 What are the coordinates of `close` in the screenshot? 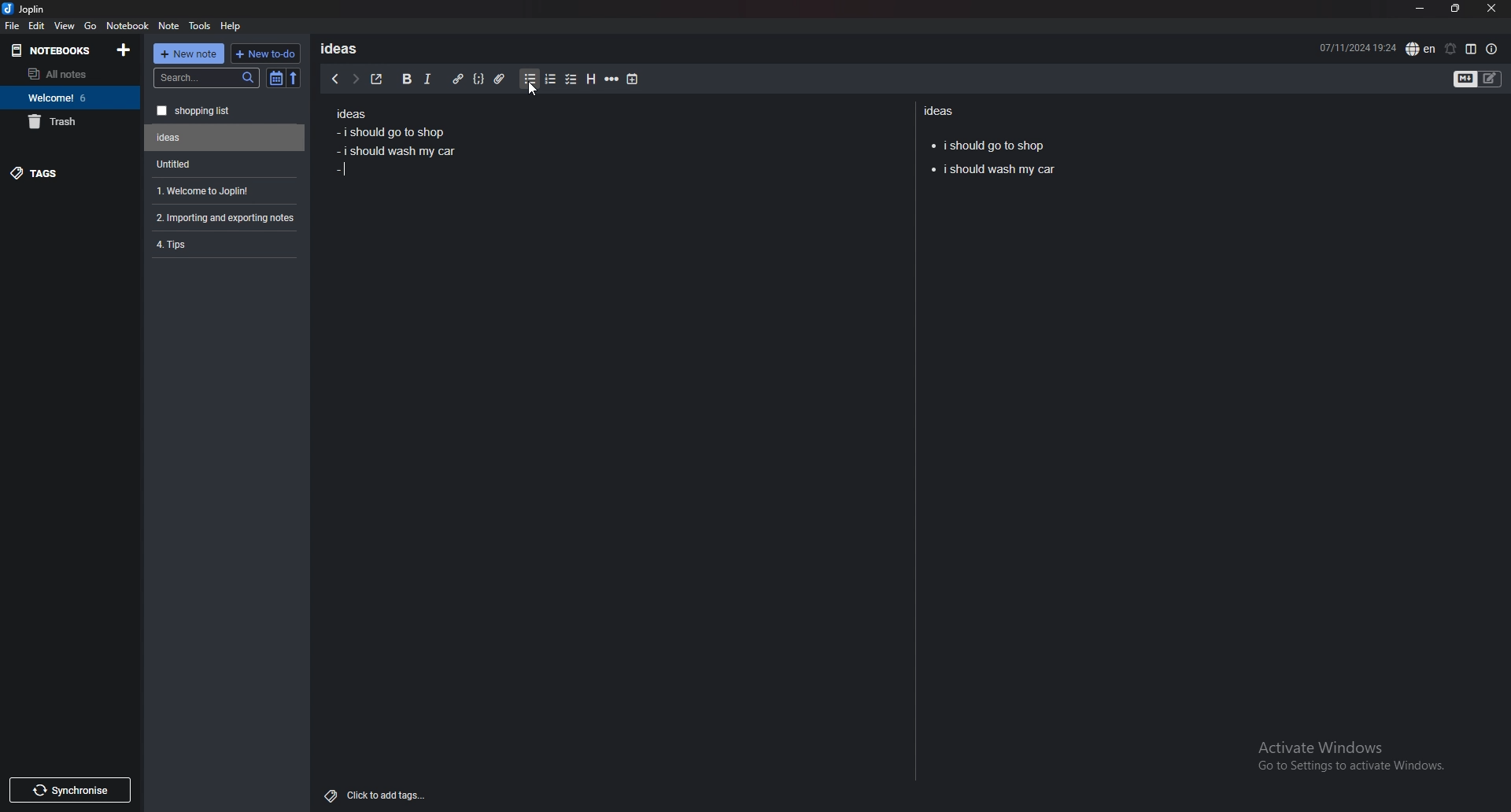 It's located at (1491, 9).